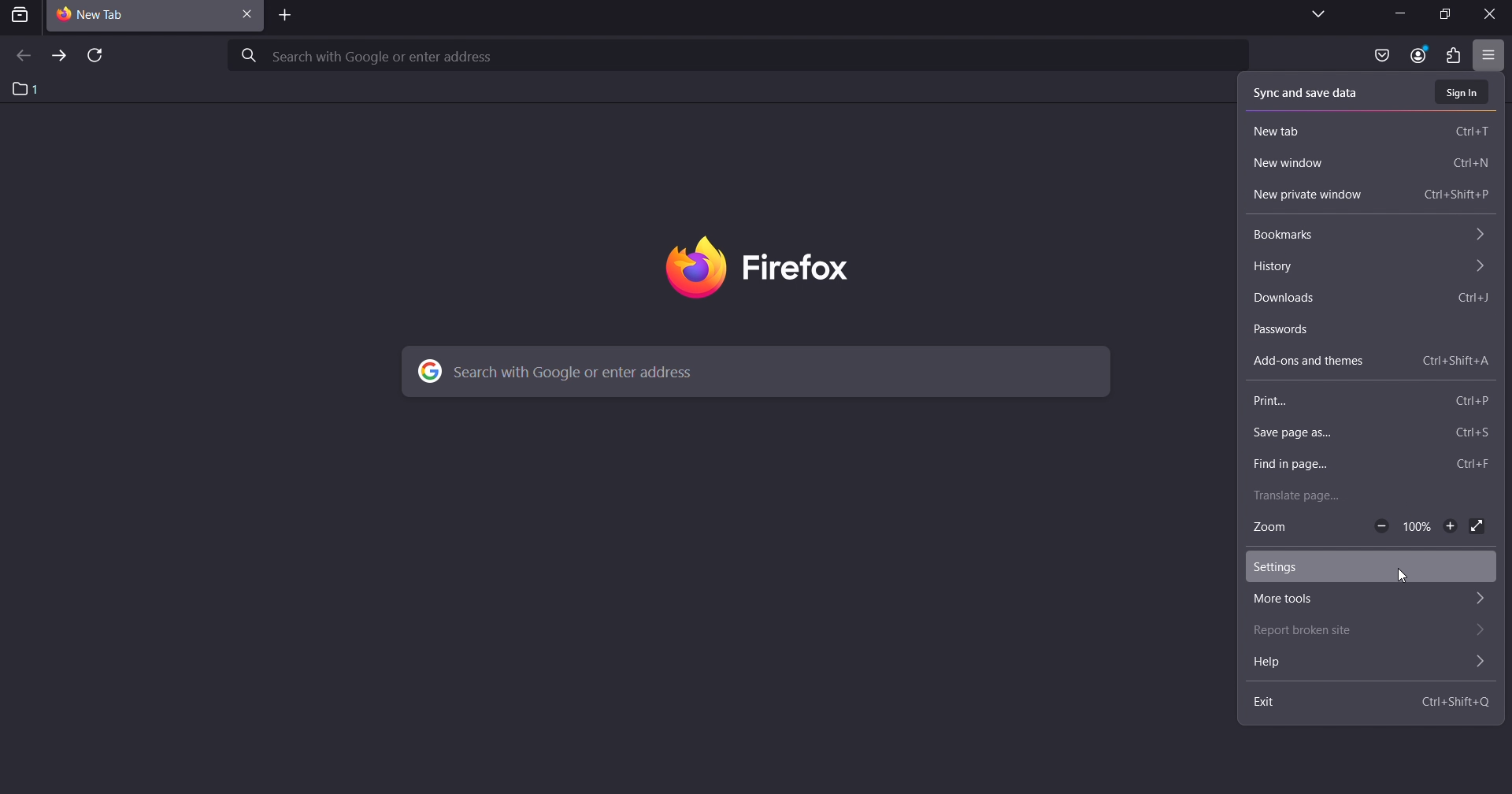  I want to click on minimize, so click(1397, 16).